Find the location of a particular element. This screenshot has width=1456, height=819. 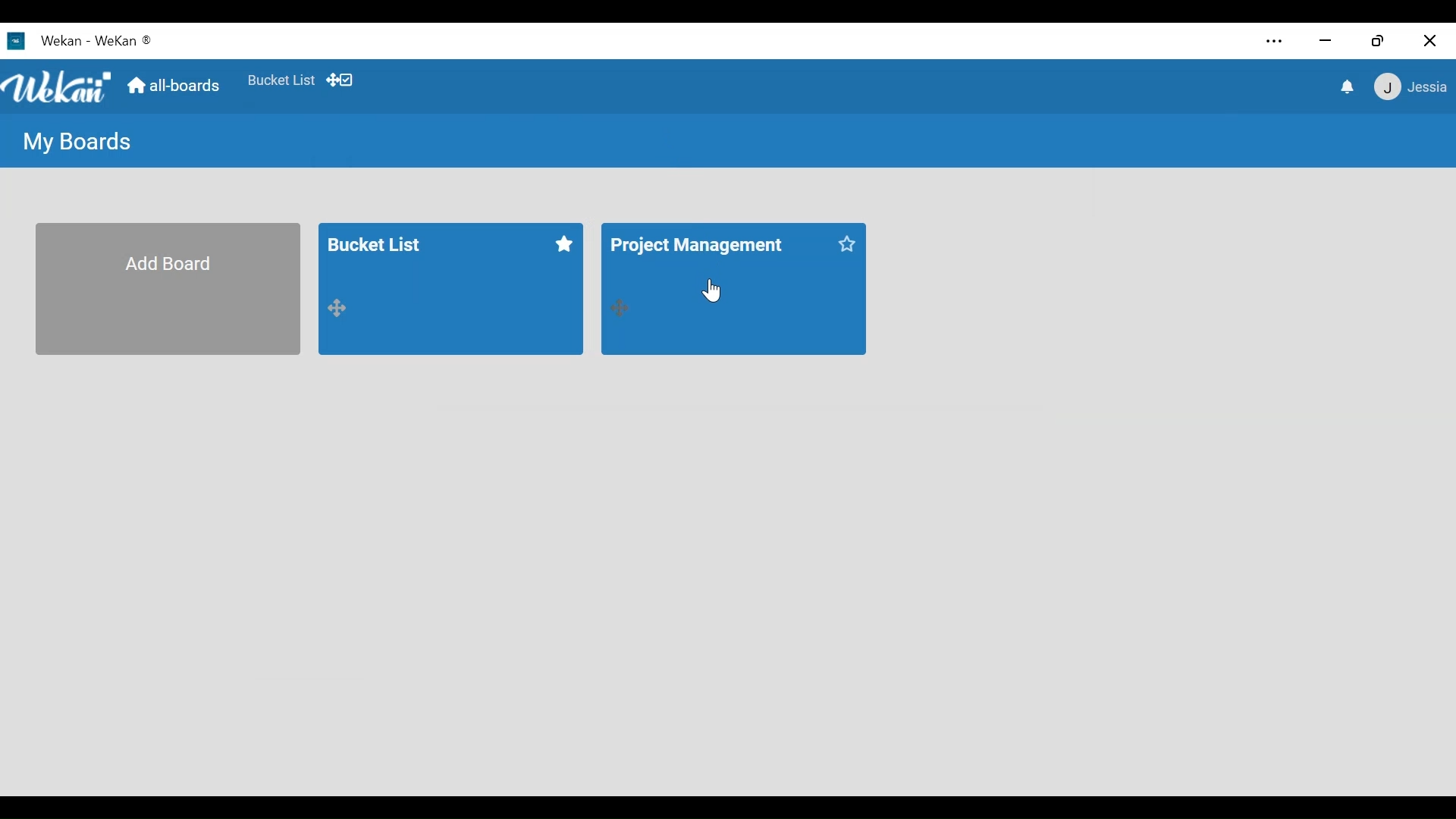

Home (all-boards) is located at coordinates (176, 86).